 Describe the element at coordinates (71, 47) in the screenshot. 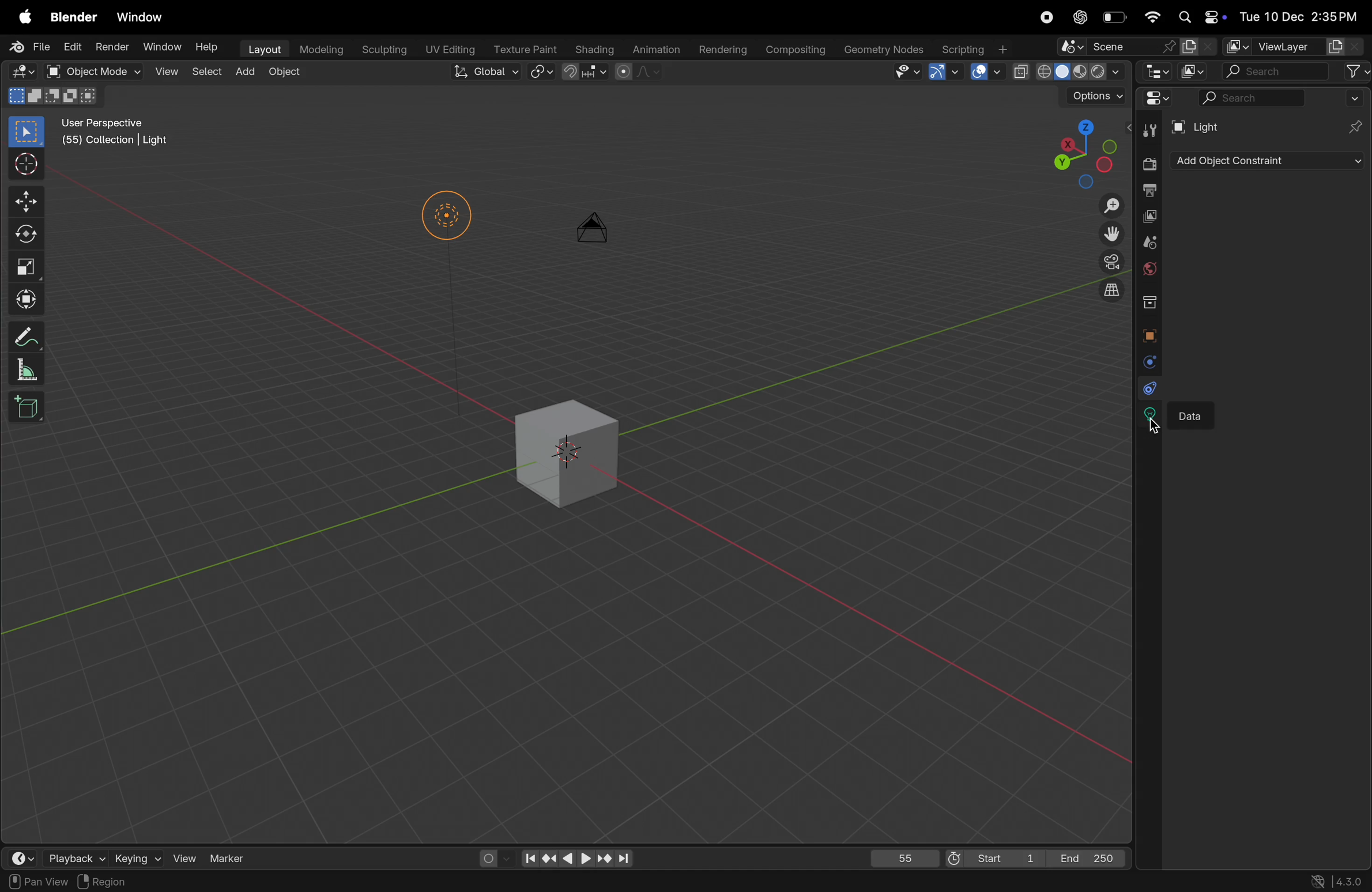

I see `Edit` at that location.